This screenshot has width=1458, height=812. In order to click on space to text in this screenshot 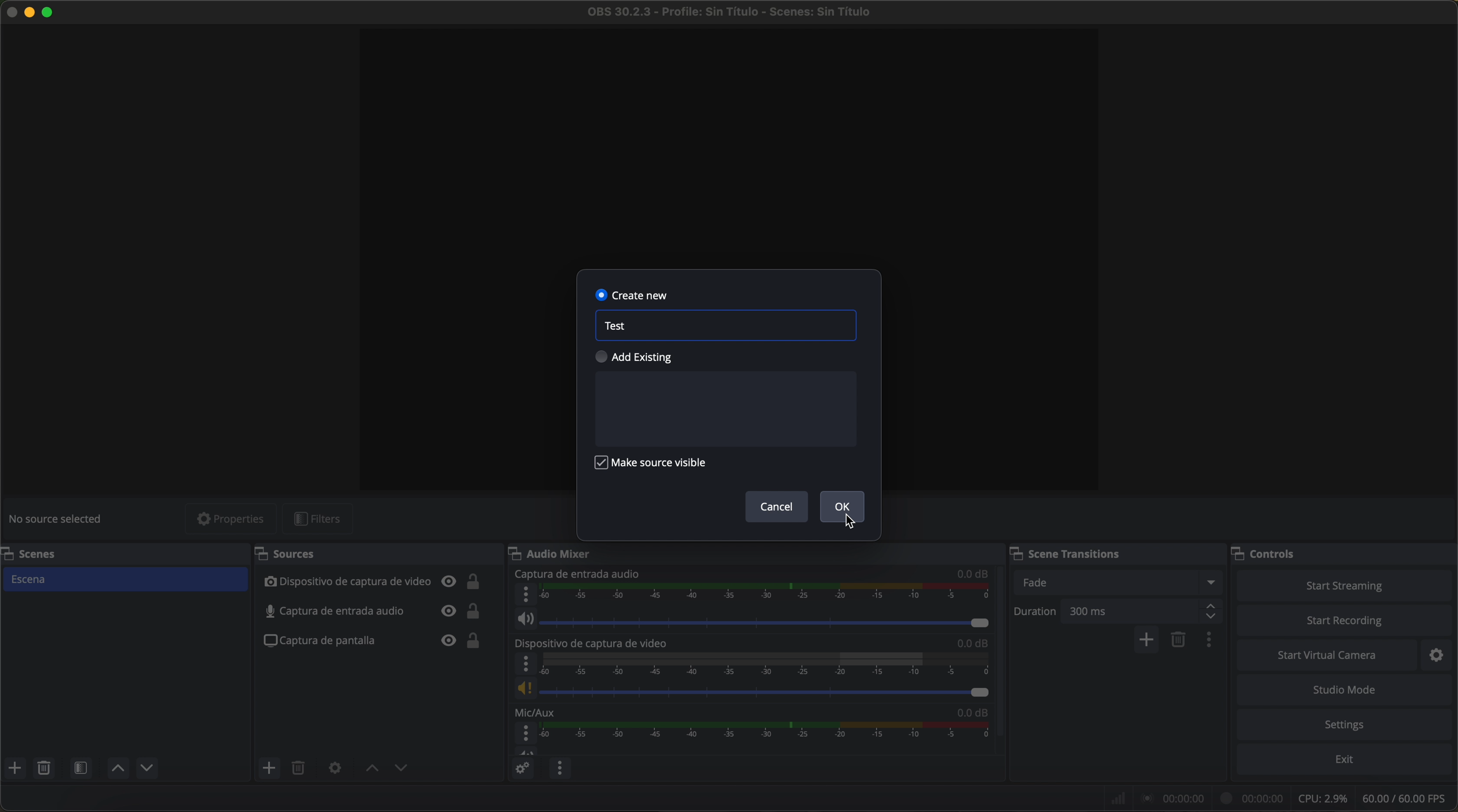, I will do `click(723, 409)`.